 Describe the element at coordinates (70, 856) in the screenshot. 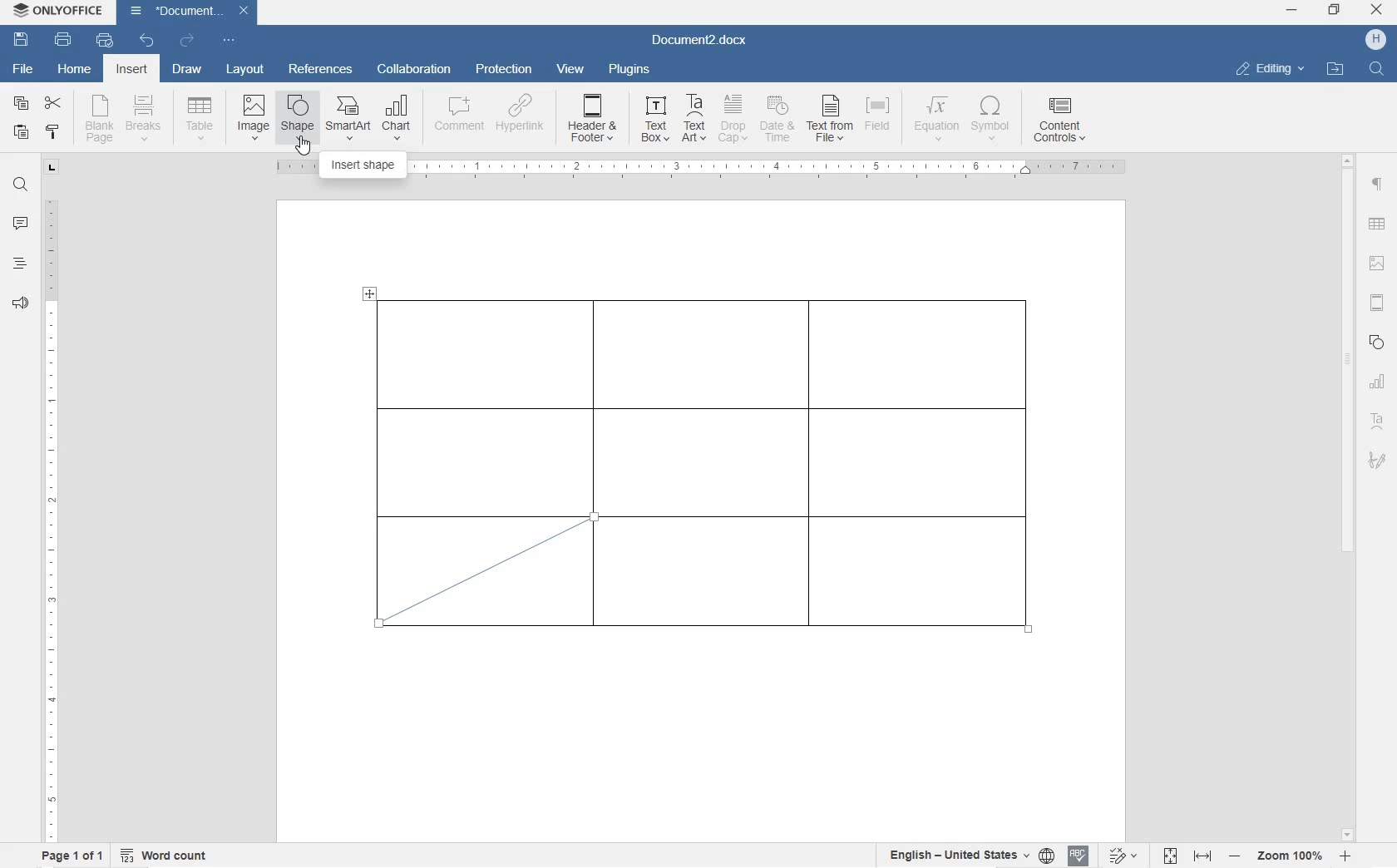

I see `page 1 of 1` at that location.